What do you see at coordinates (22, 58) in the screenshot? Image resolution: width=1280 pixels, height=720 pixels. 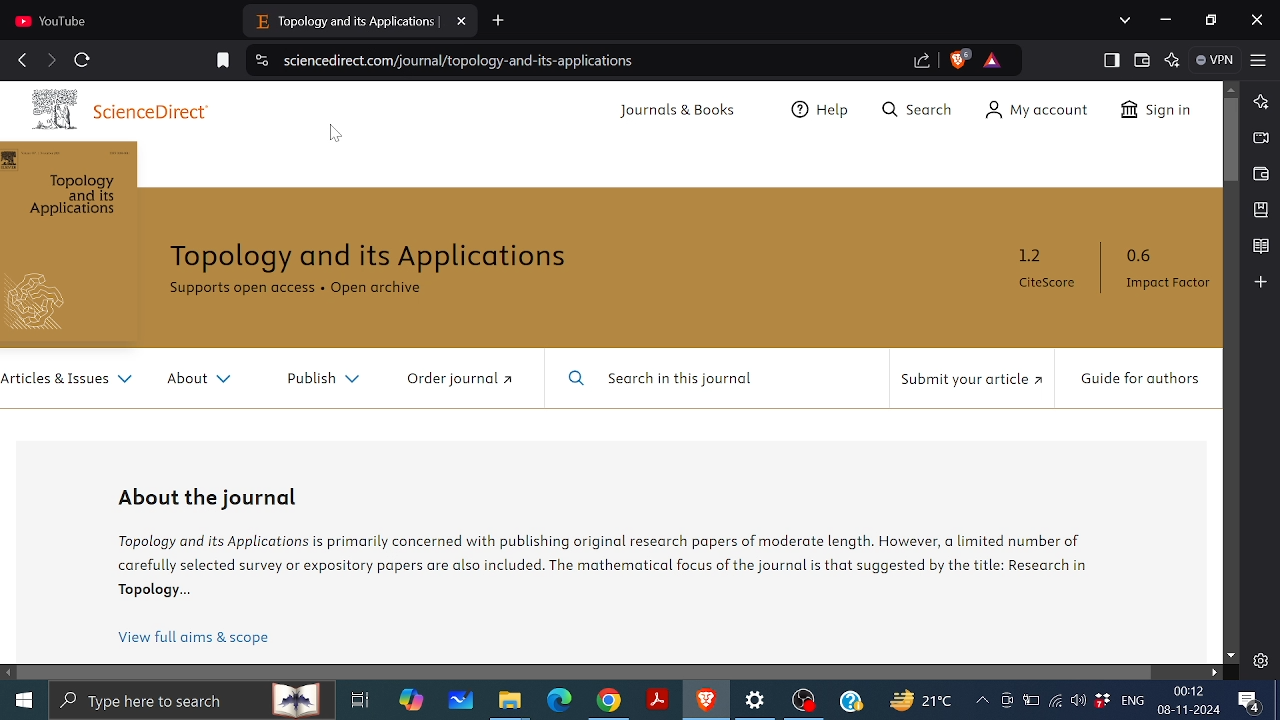 I see `go back` at bounding box center [22, 58].